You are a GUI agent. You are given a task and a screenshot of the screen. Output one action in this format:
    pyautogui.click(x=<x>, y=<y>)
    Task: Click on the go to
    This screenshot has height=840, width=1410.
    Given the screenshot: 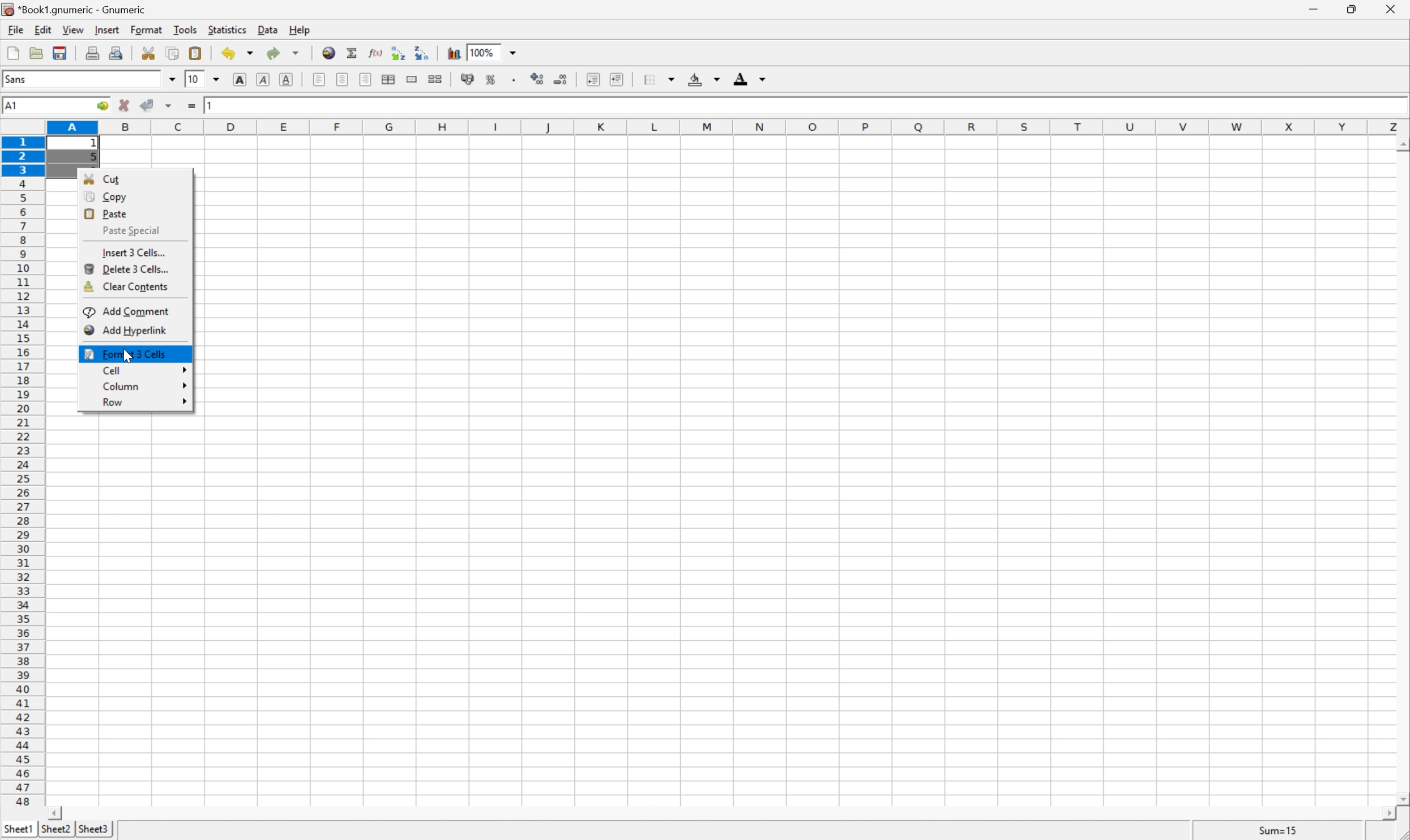 What is the action you would take?
    pyautogui.click(x=102, y=106)
    